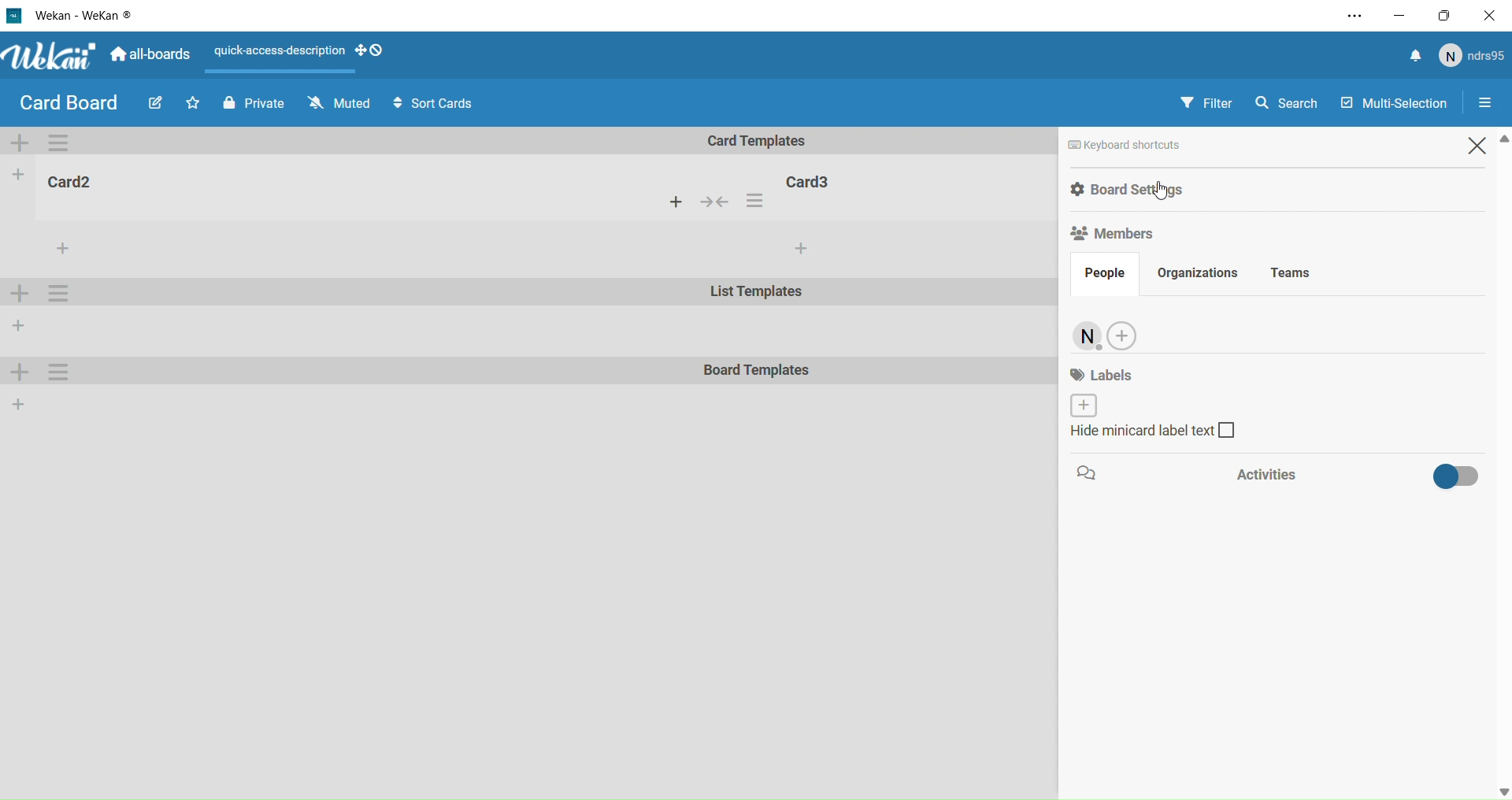  Describe the element at coordinates (92, 185) in the screenshot. I see `` at that location.